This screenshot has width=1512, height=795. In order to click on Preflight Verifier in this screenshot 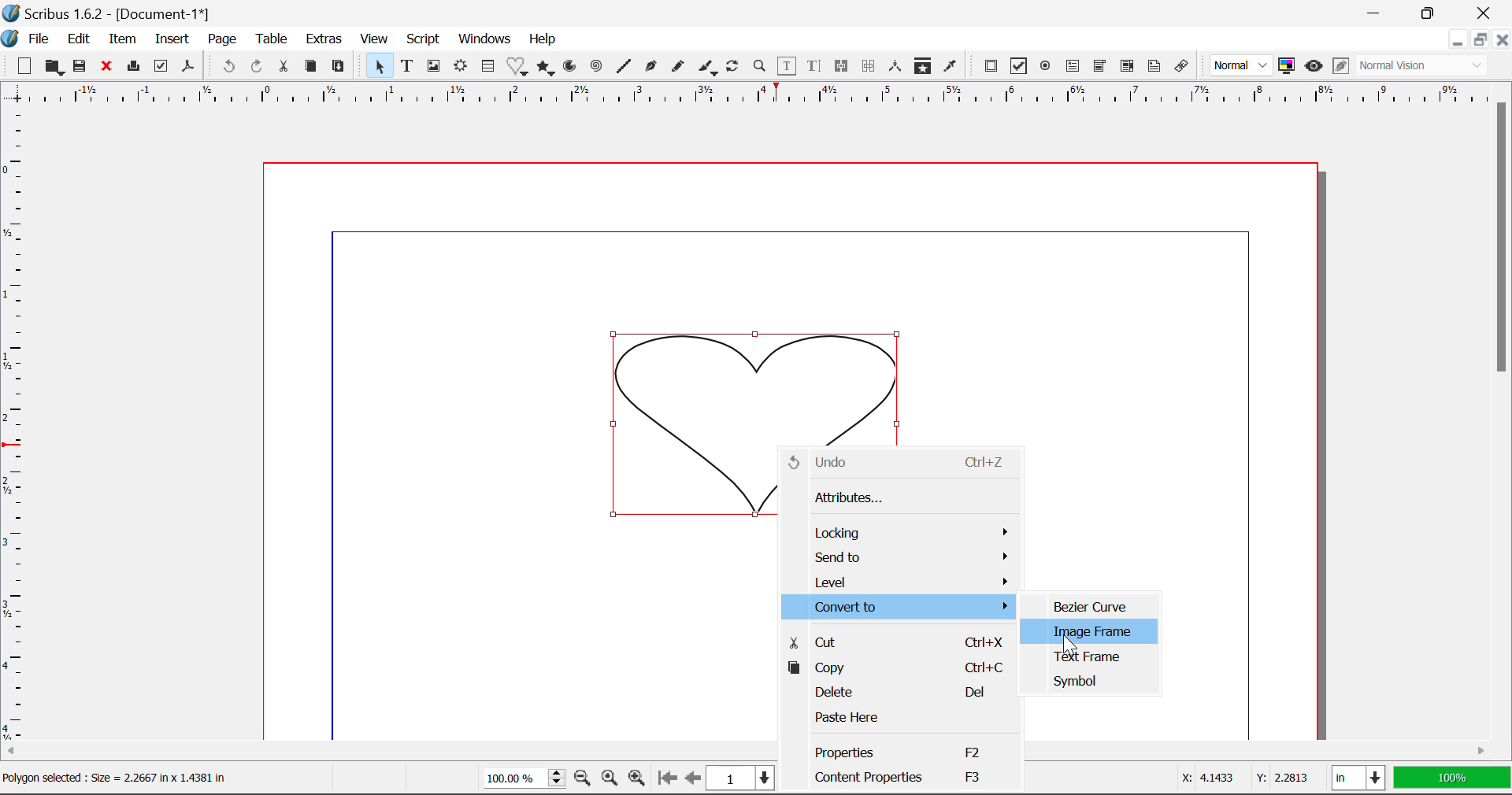, I will do `click(162, 70)`.